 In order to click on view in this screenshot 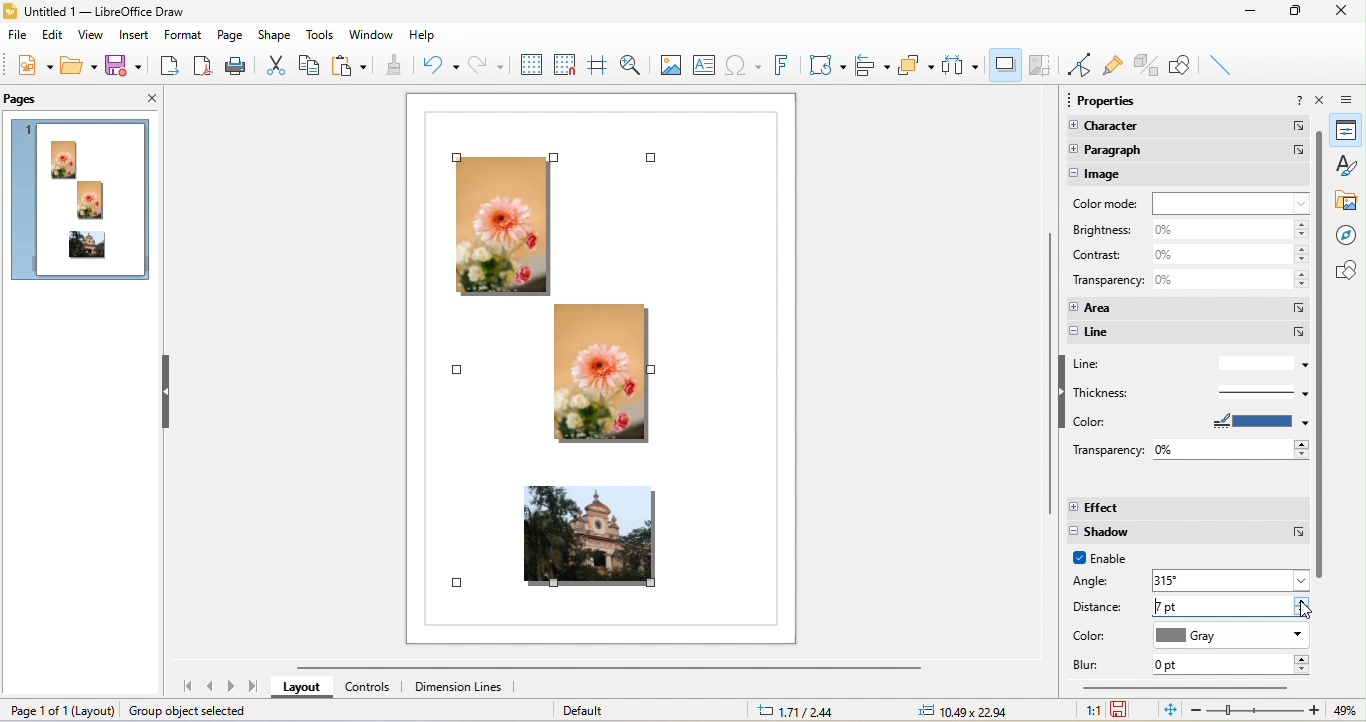, I will do `click(92, 37)`.